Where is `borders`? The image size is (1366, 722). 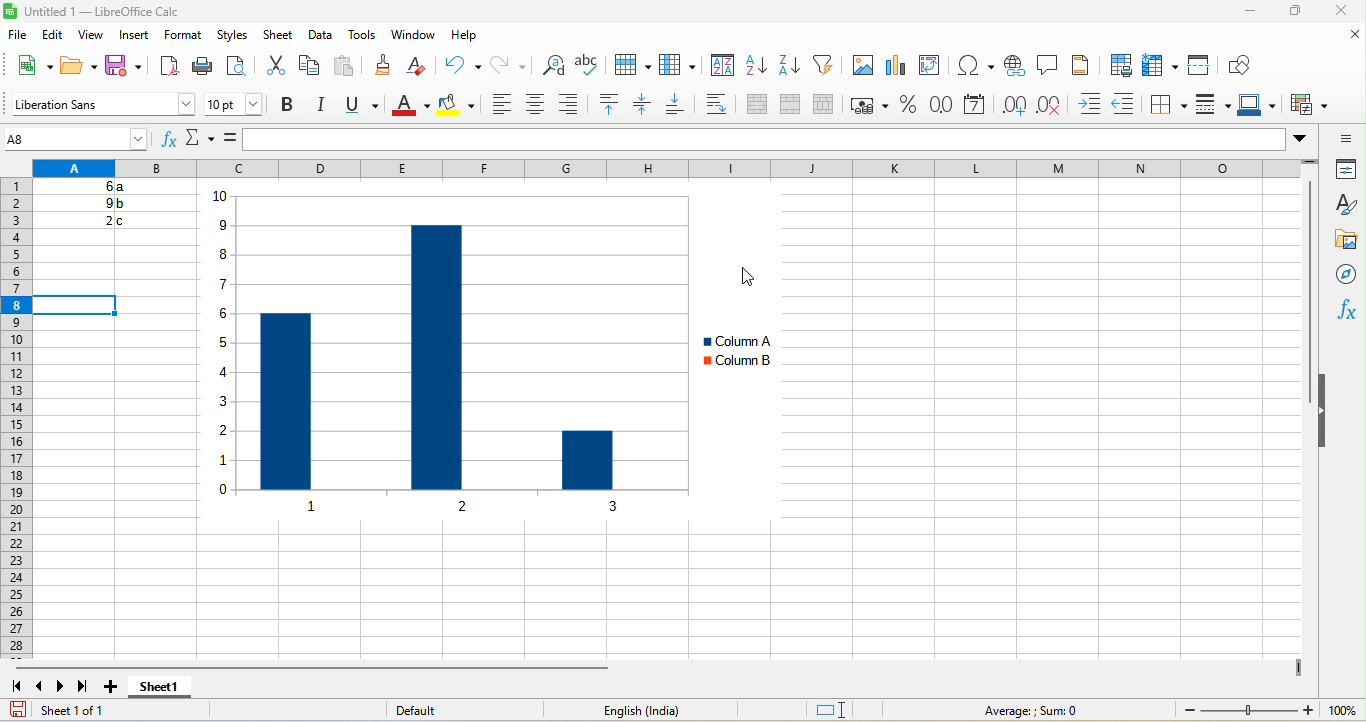
borders is located at coordinates (1169, 105).